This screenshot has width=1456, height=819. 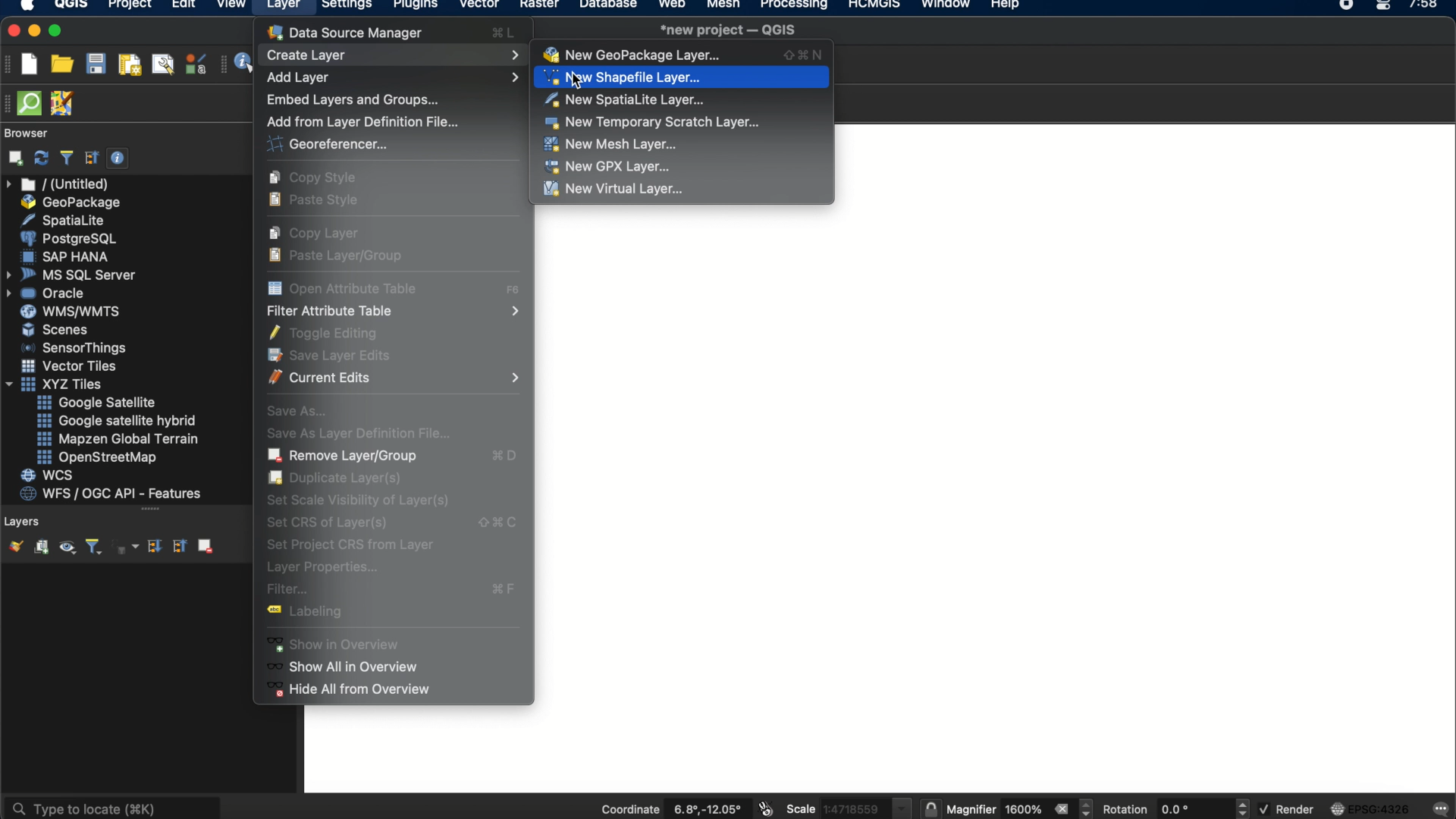 What do you see at coordinates (74, 348) in the screenshot?
I see `sensorthings` at bounding box center [74, 348].